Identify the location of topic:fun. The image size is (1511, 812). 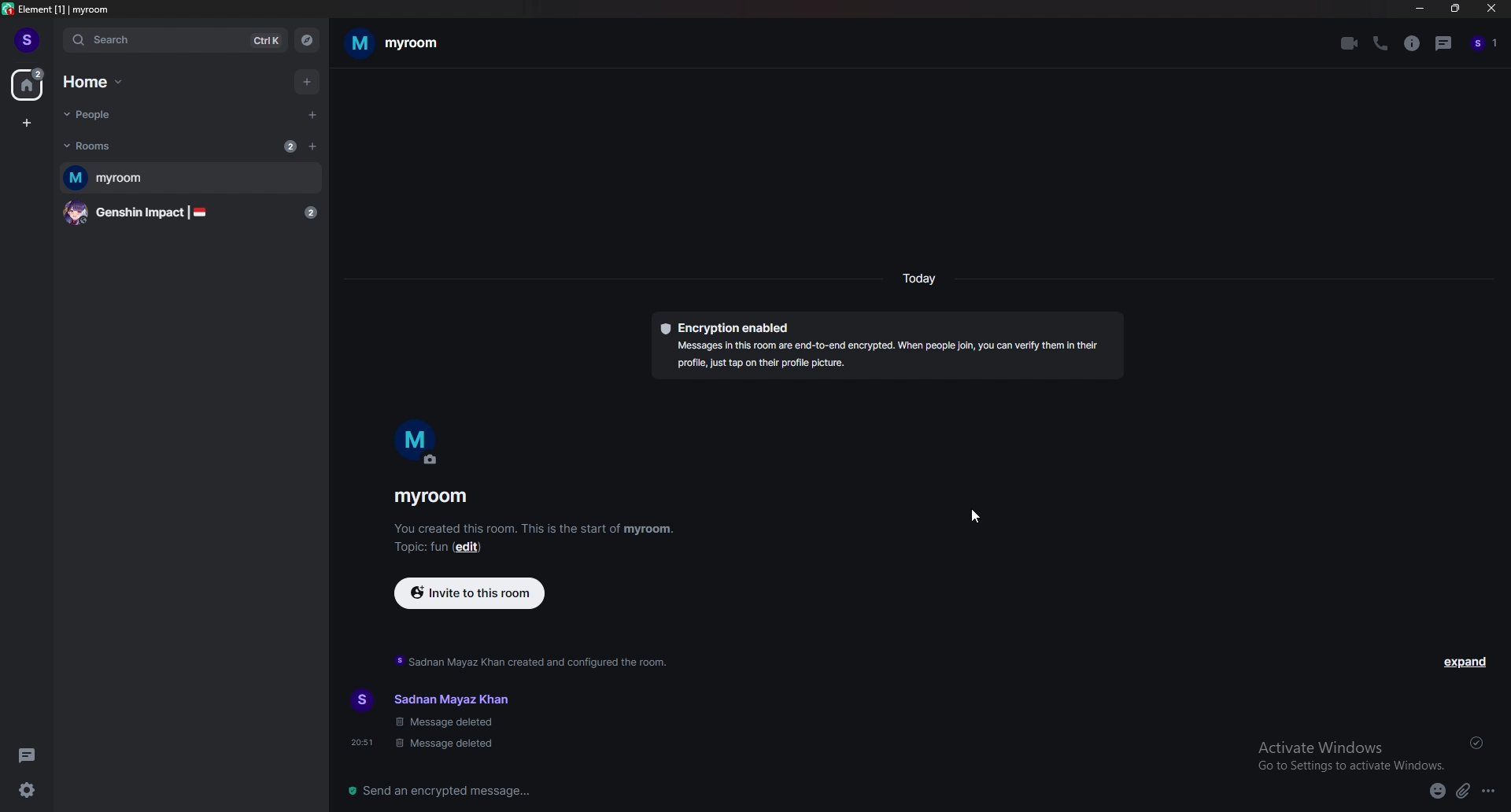
(419, 549).